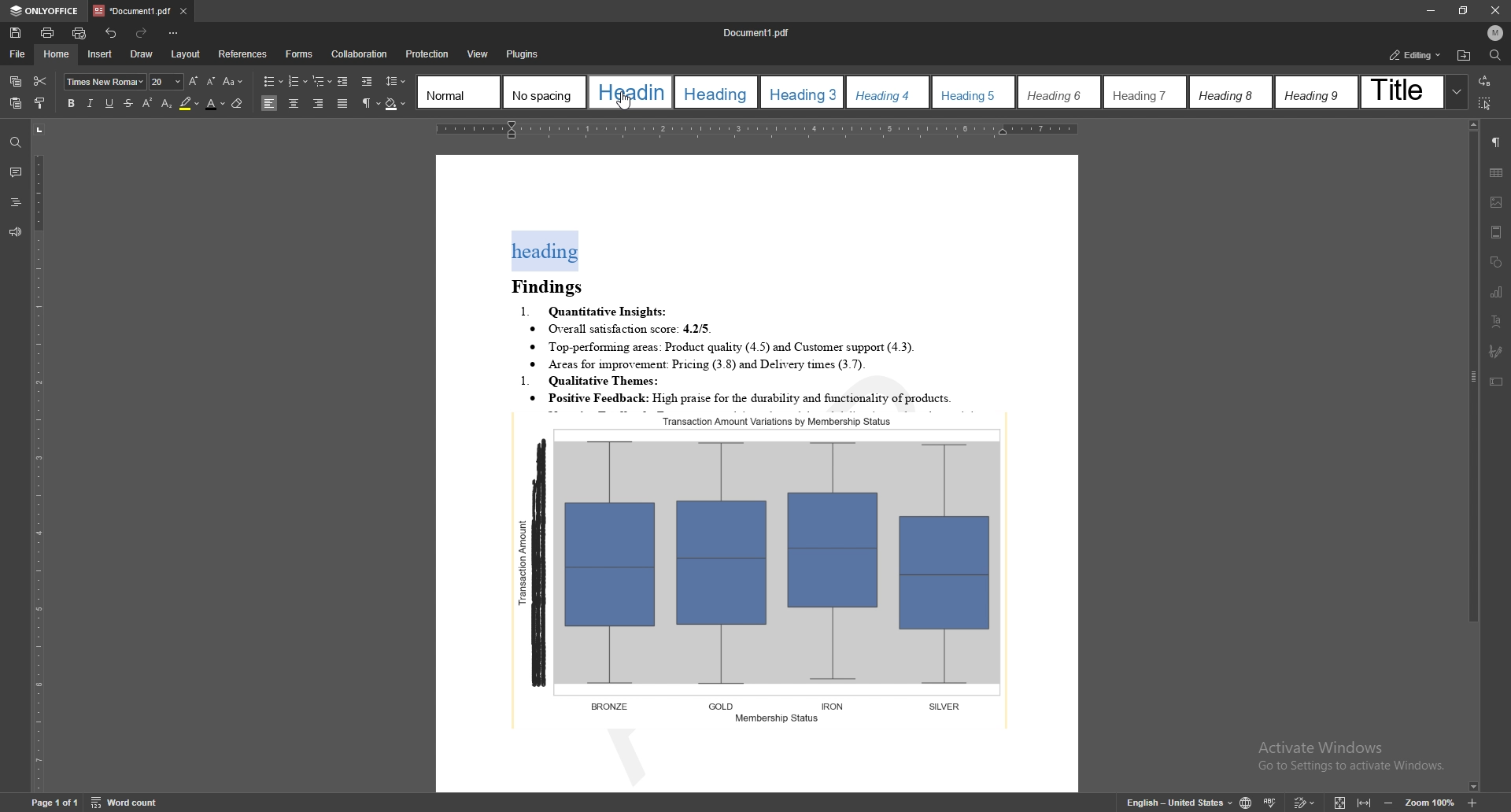  Describe the element at coordinates (598, 378) in the screenshot. I see `1. Qualitative Themes:` at that location.